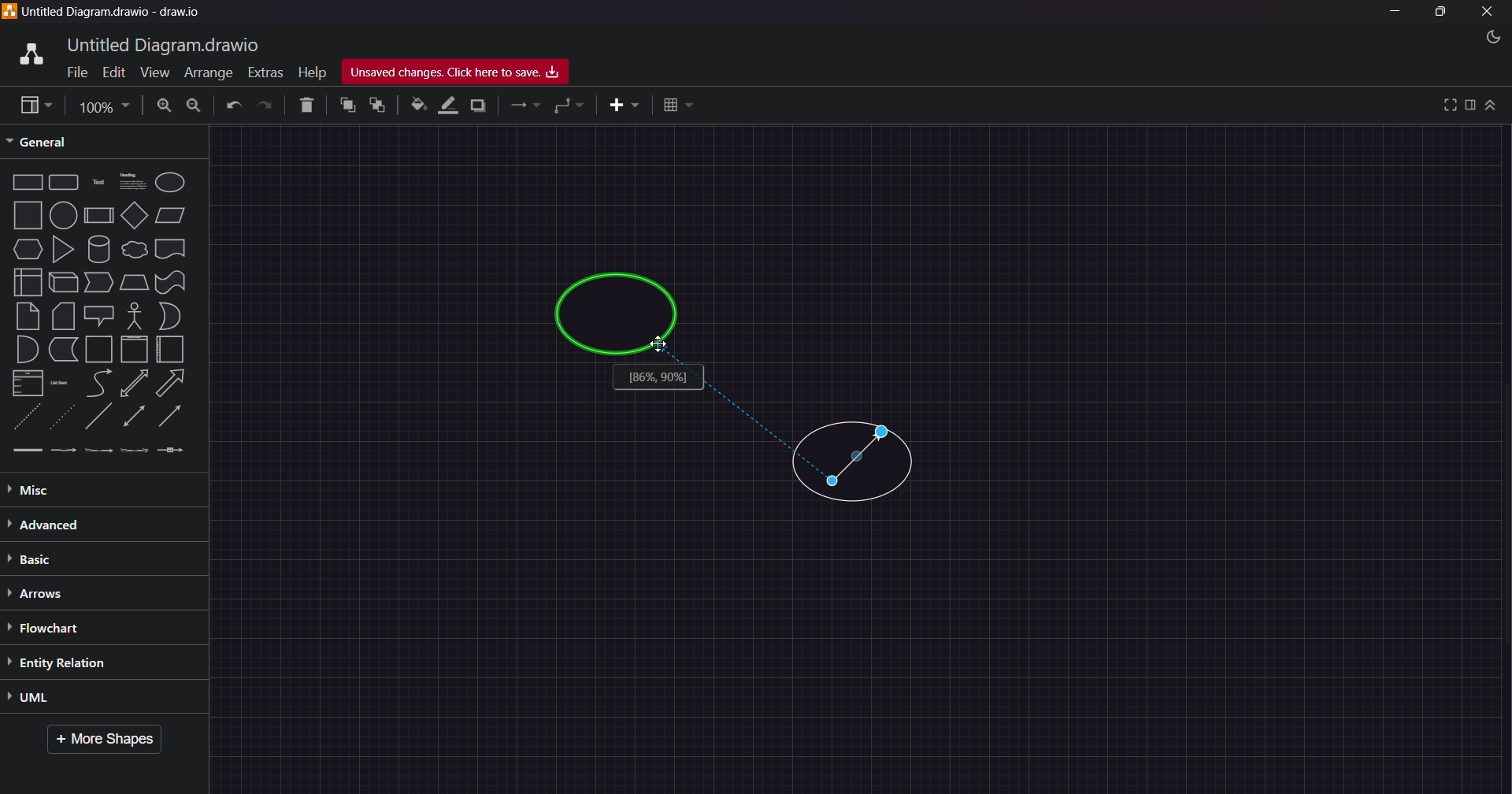 The width and height of the screenshot is (1512, 794). I want to click on Maximize, so click(1440, 14).